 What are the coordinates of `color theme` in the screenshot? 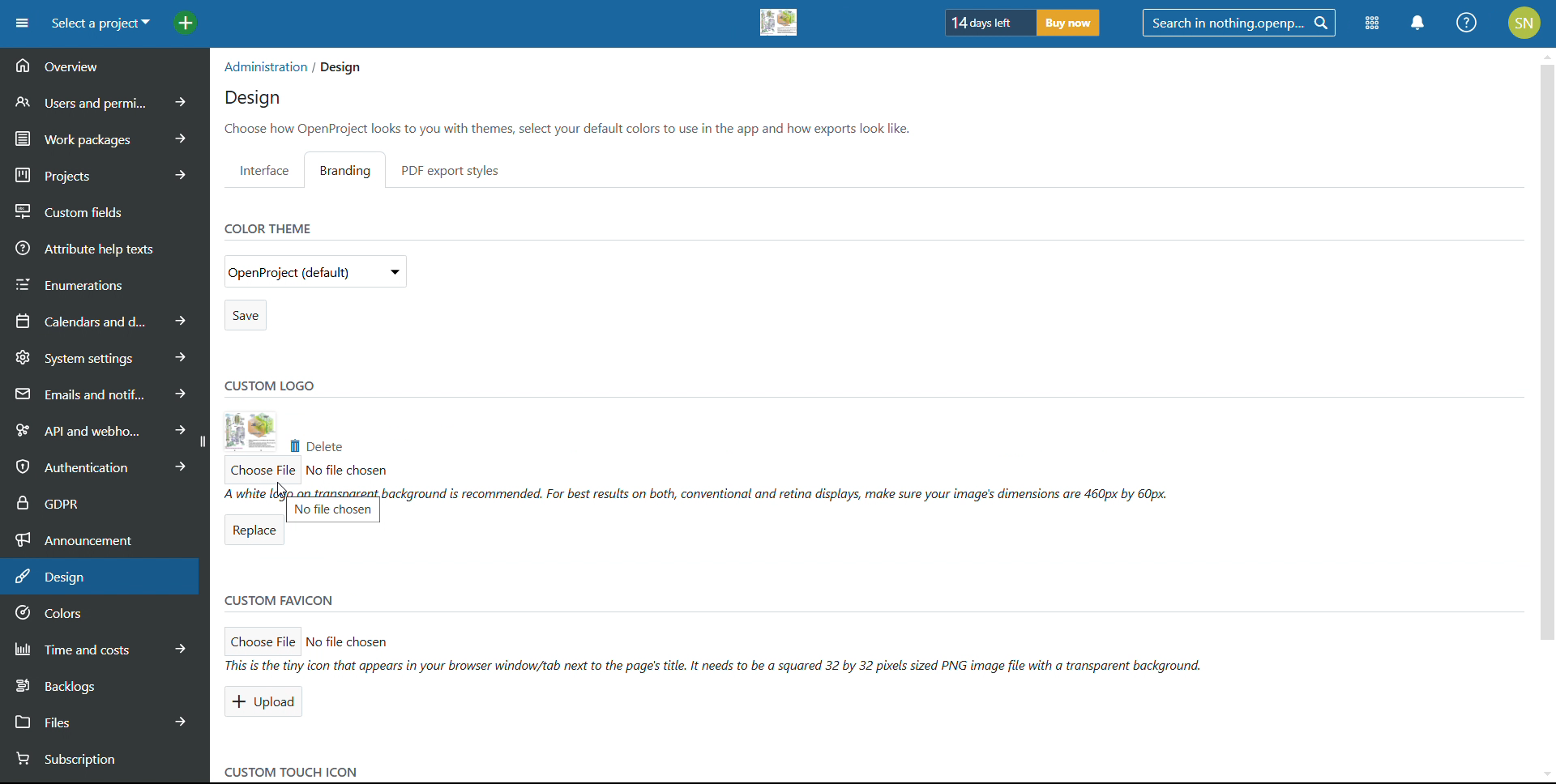 It's located at (266, 228).